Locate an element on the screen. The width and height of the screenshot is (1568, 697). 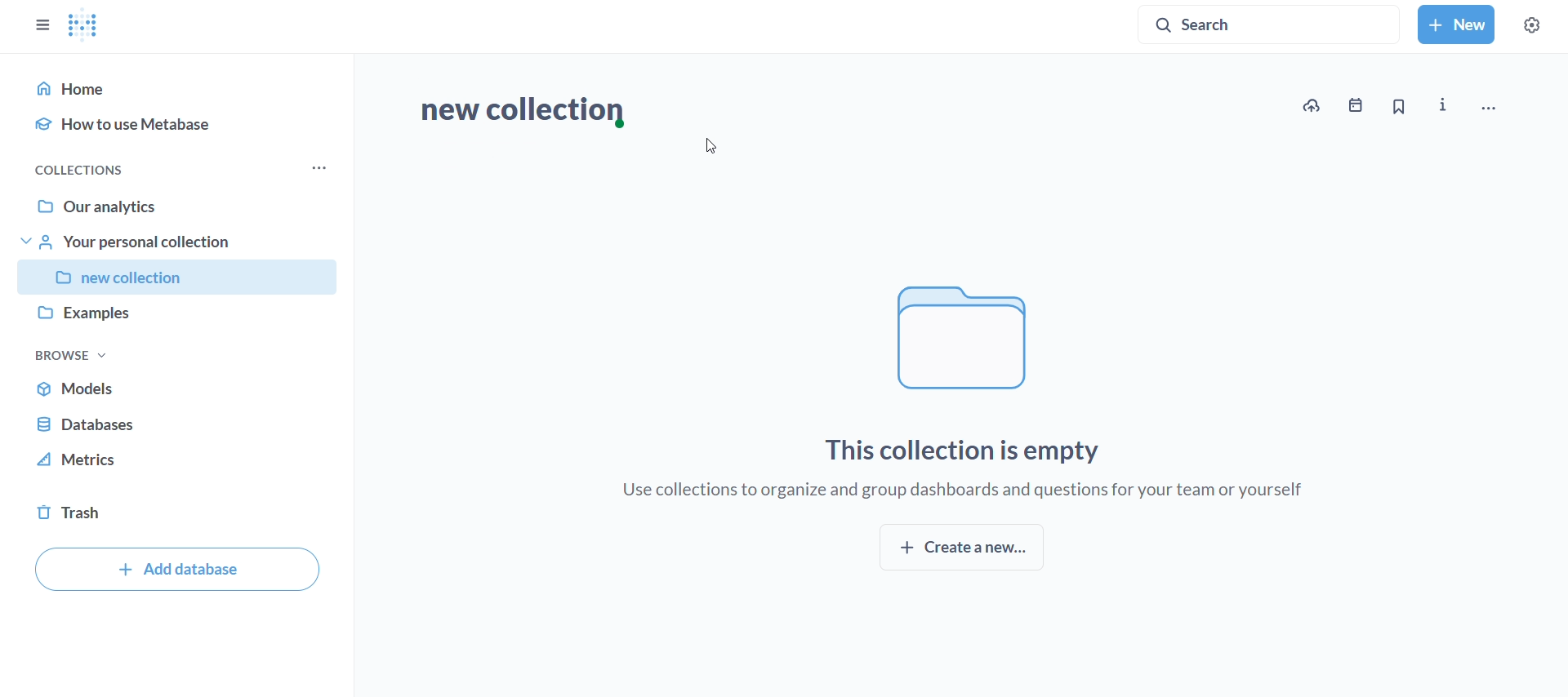
models is located at coordinates (179, 388).